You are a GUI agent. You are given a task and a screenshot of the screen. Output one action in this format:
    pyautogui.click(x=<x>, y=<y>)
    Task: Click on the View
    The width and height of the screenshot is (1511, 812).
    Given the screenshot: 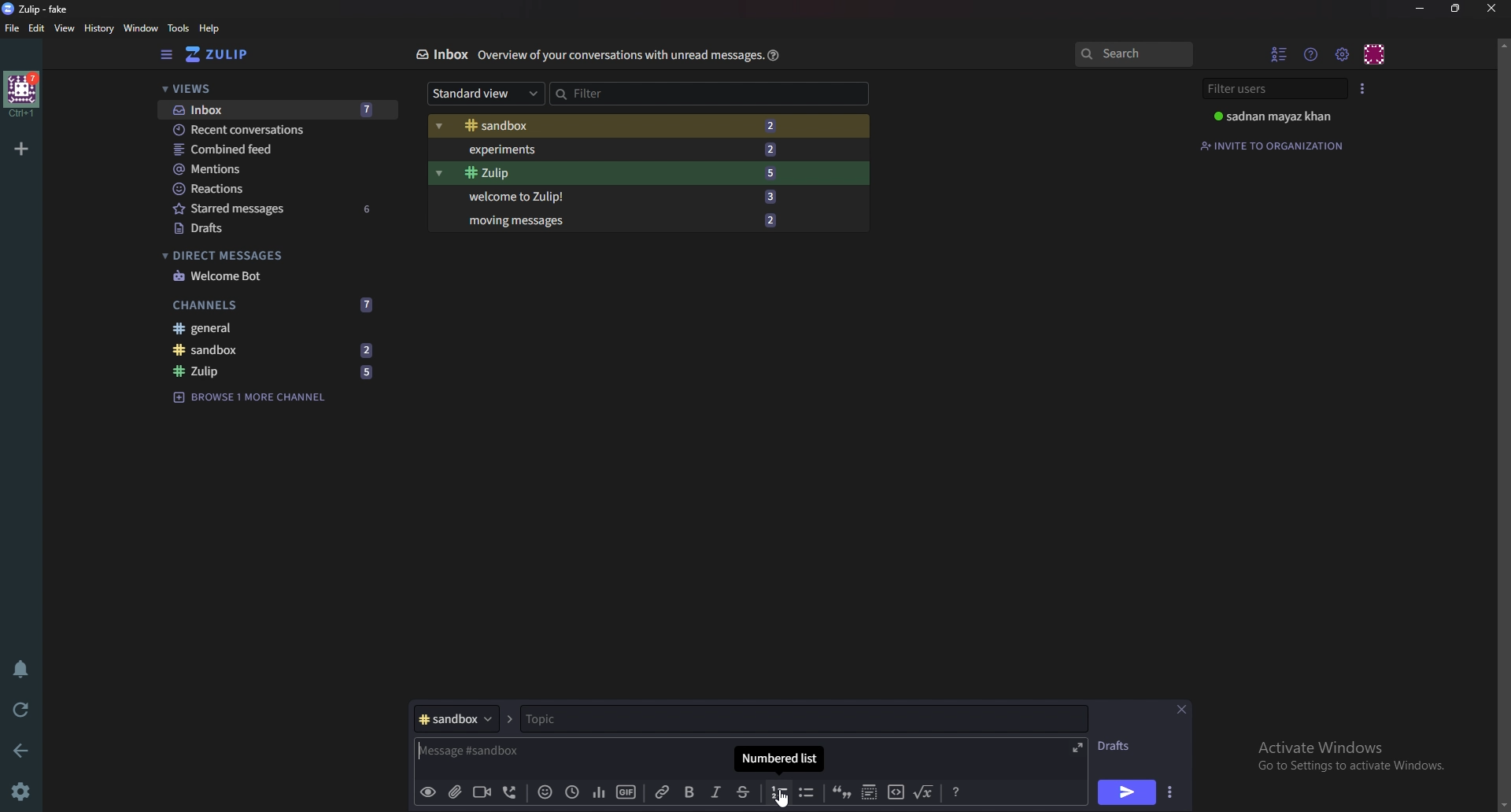 What is the action you would take?
    pyautogui.click(x=65, y=29)
    